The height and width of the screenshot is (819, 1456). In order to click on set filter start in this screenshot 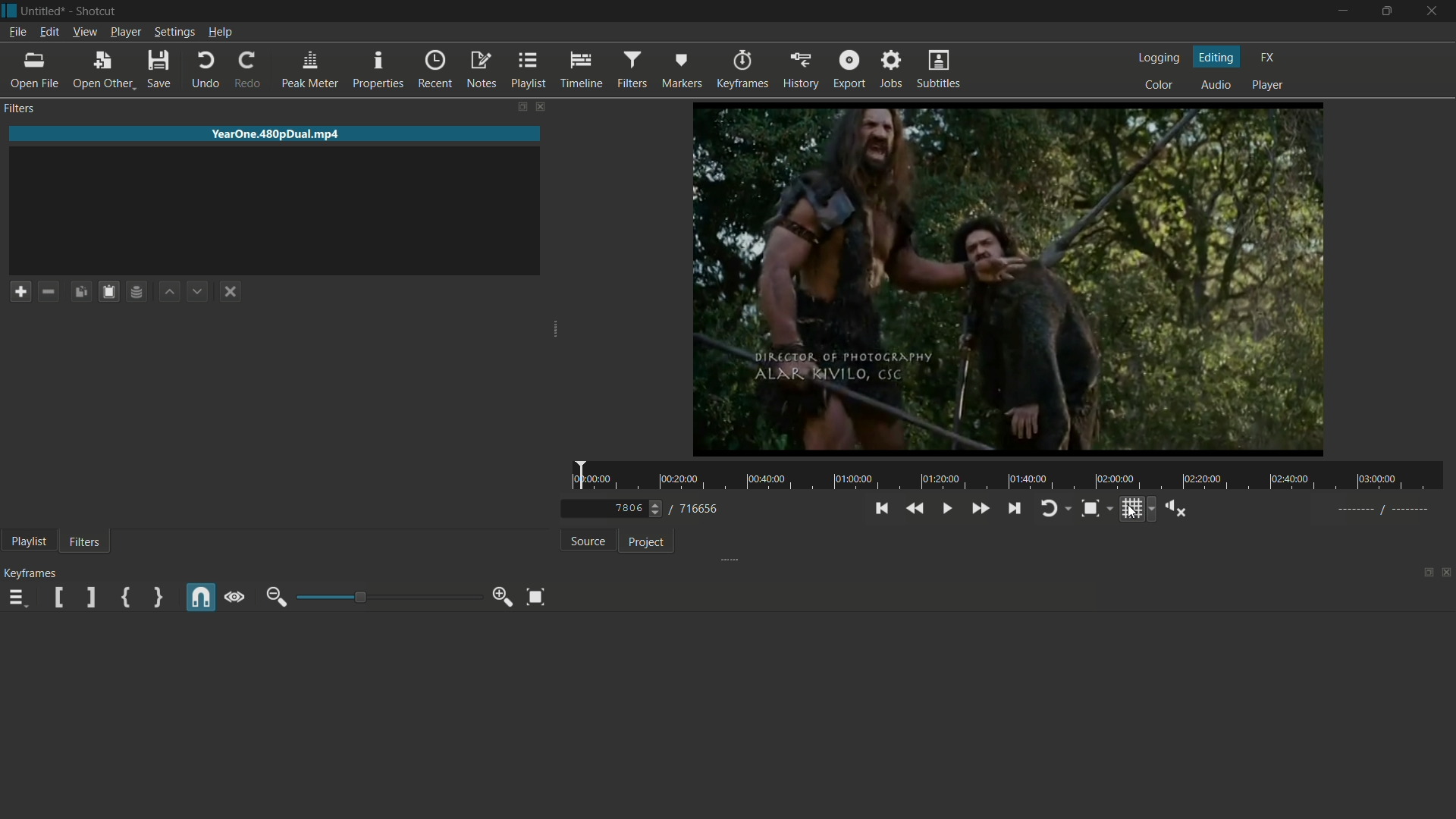, I will do `click(58, 597)`.